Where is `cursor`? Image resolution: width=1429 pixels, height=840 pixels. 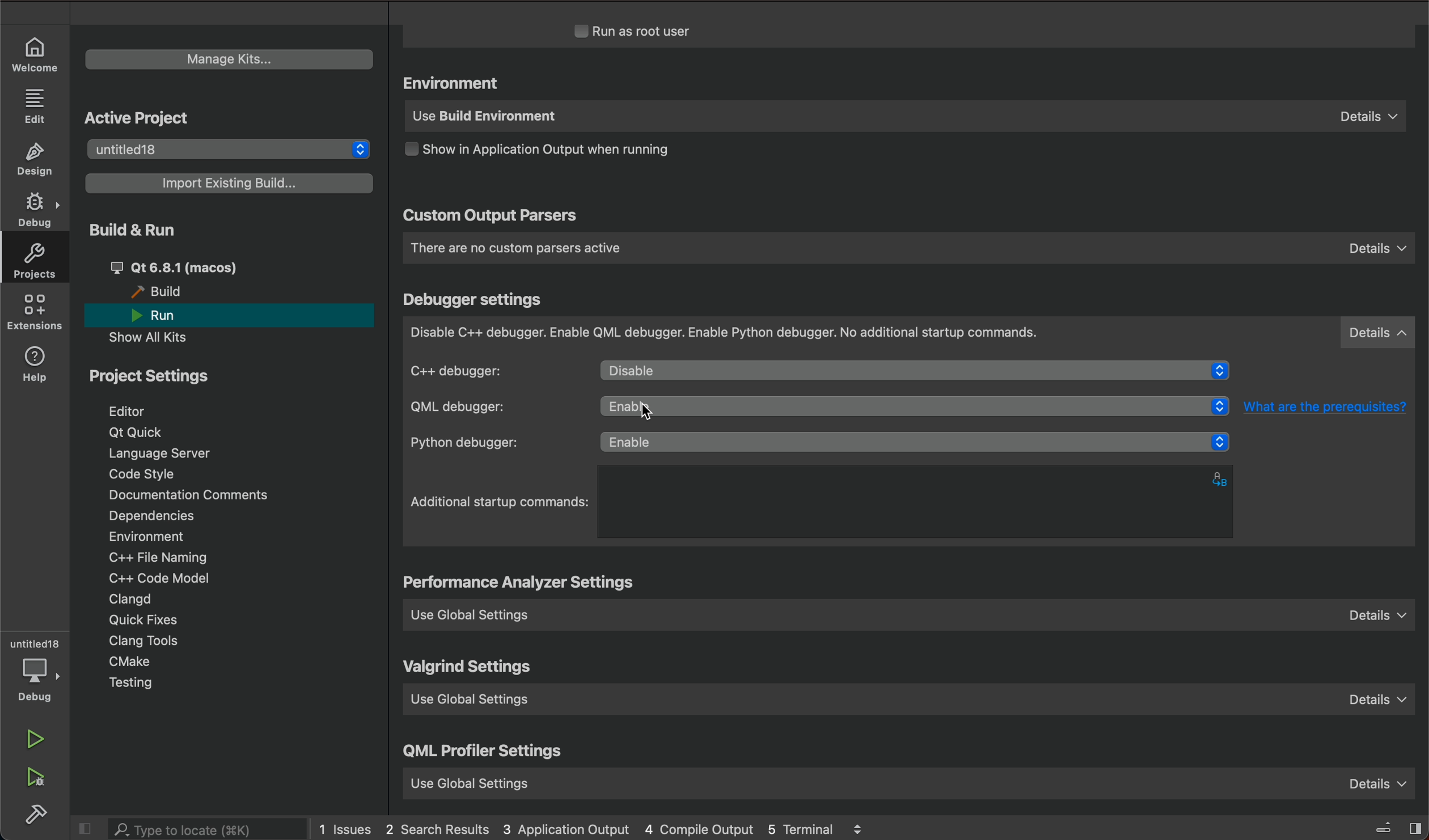 cursor is located at coordinates (657, 419).